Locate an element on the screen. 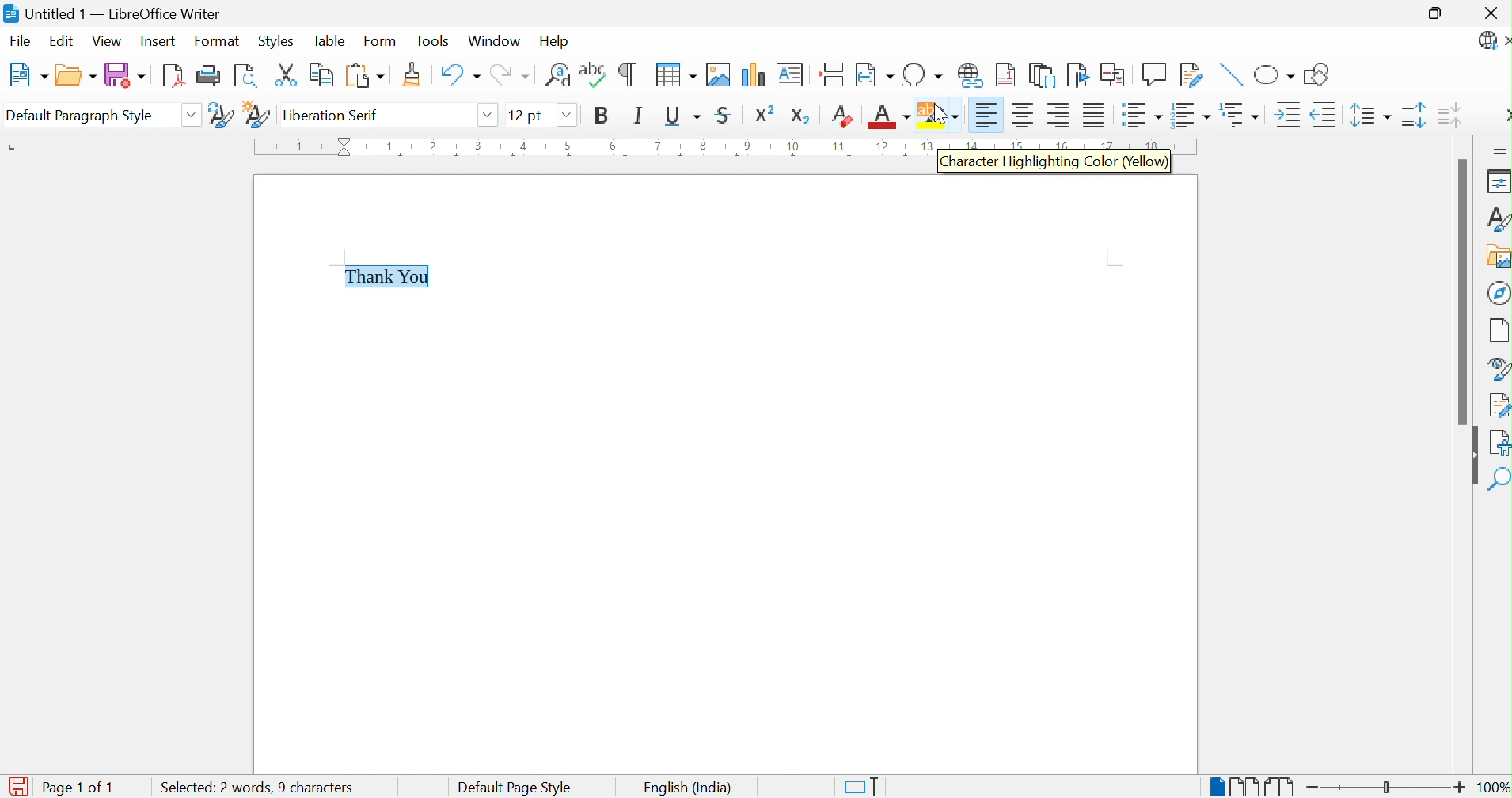 The width and height of the screenshot is (1512, 798). View is located at coordinates (108, 42).